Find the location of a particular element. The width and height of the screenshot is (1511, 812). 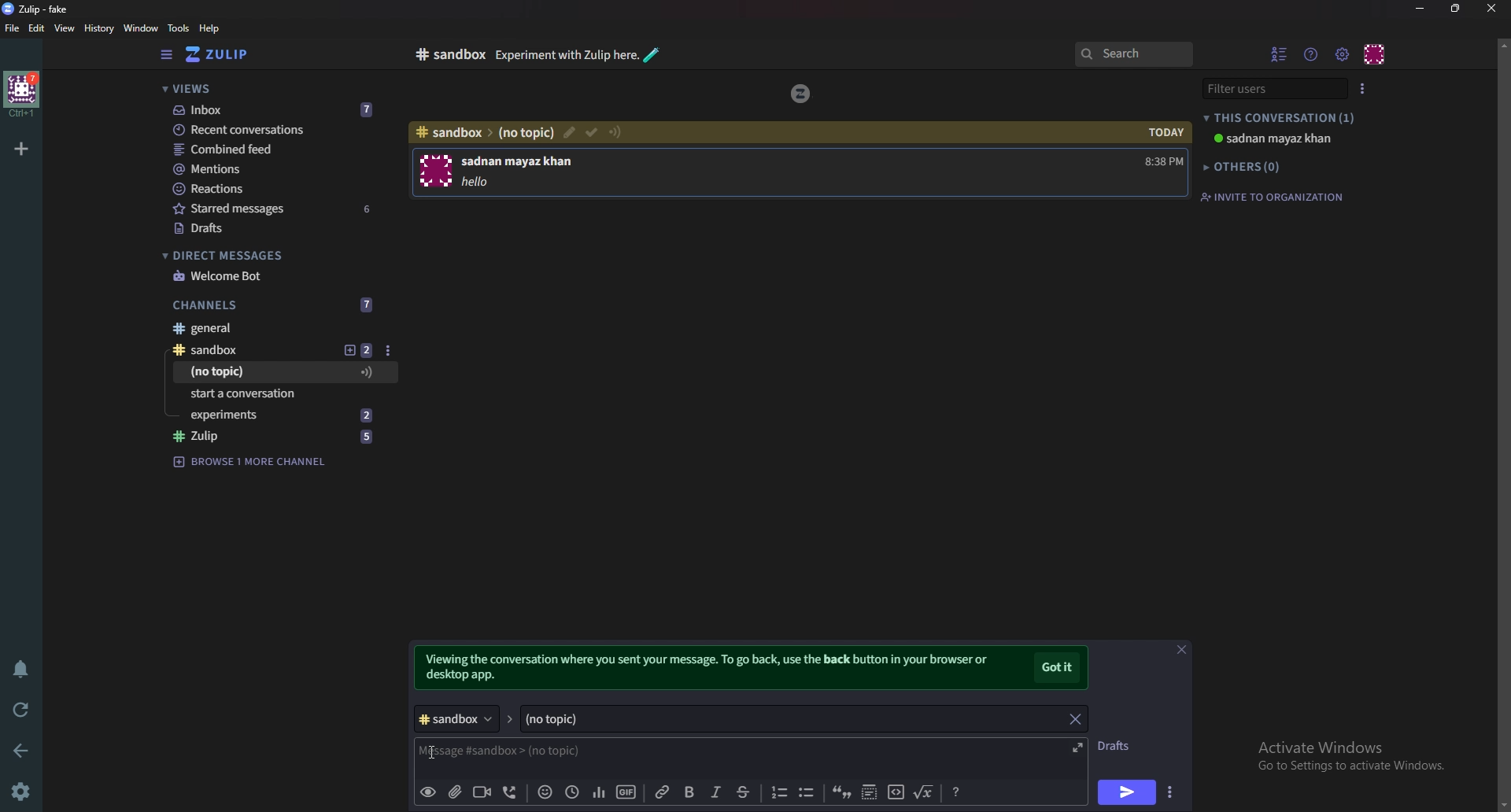

search is located at coordinates (1132, 53).